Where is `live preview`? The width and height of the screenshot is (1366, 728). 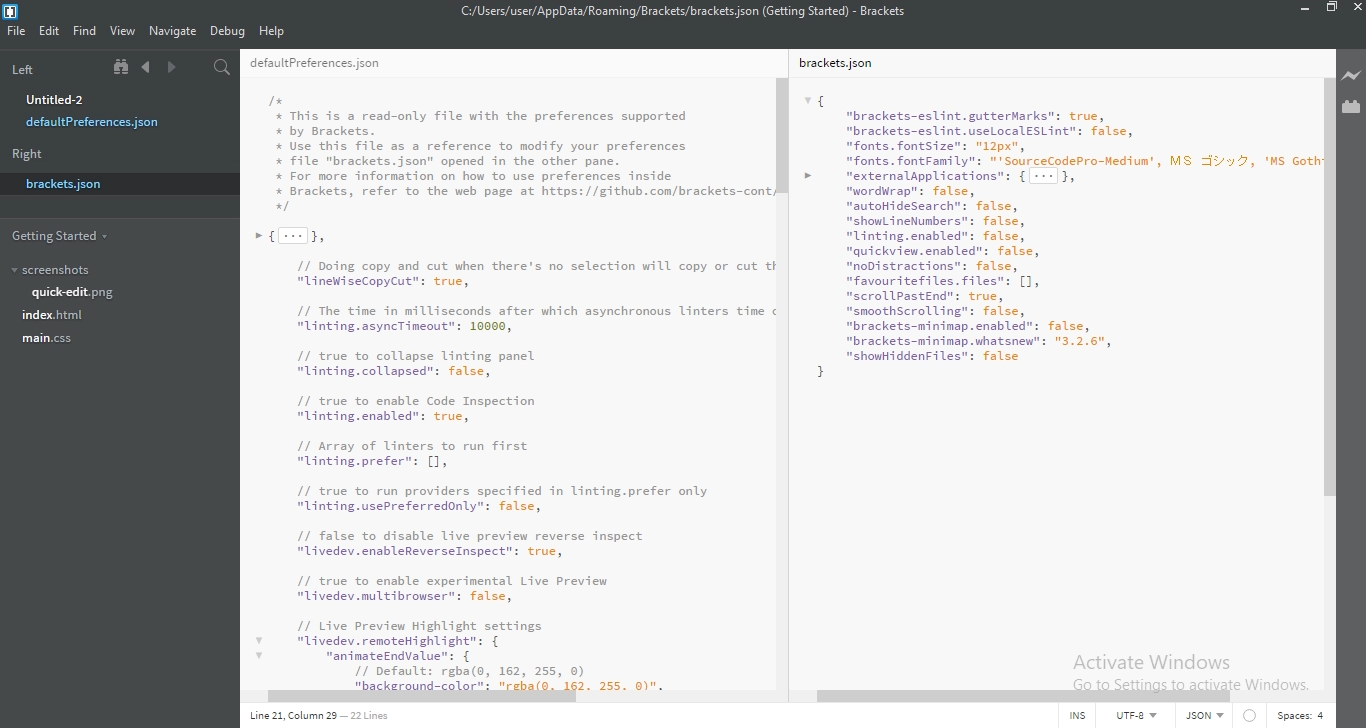
live preview is located at coordinates (1351, 76).